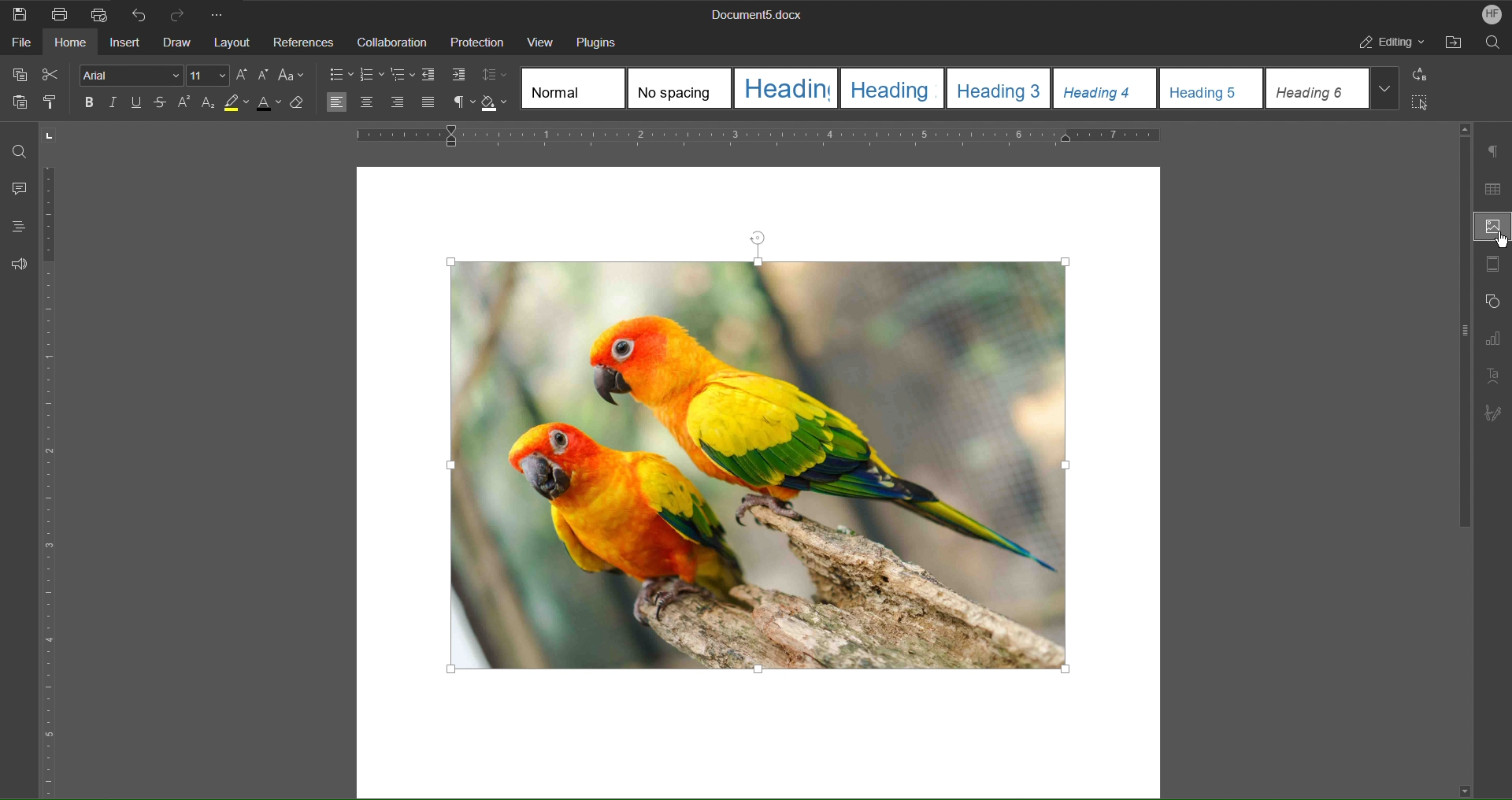 This screenshot has height=800, width=1512. Describe the element at coordinates (127, 44) in the screenshot. I see `Insert` at that location.